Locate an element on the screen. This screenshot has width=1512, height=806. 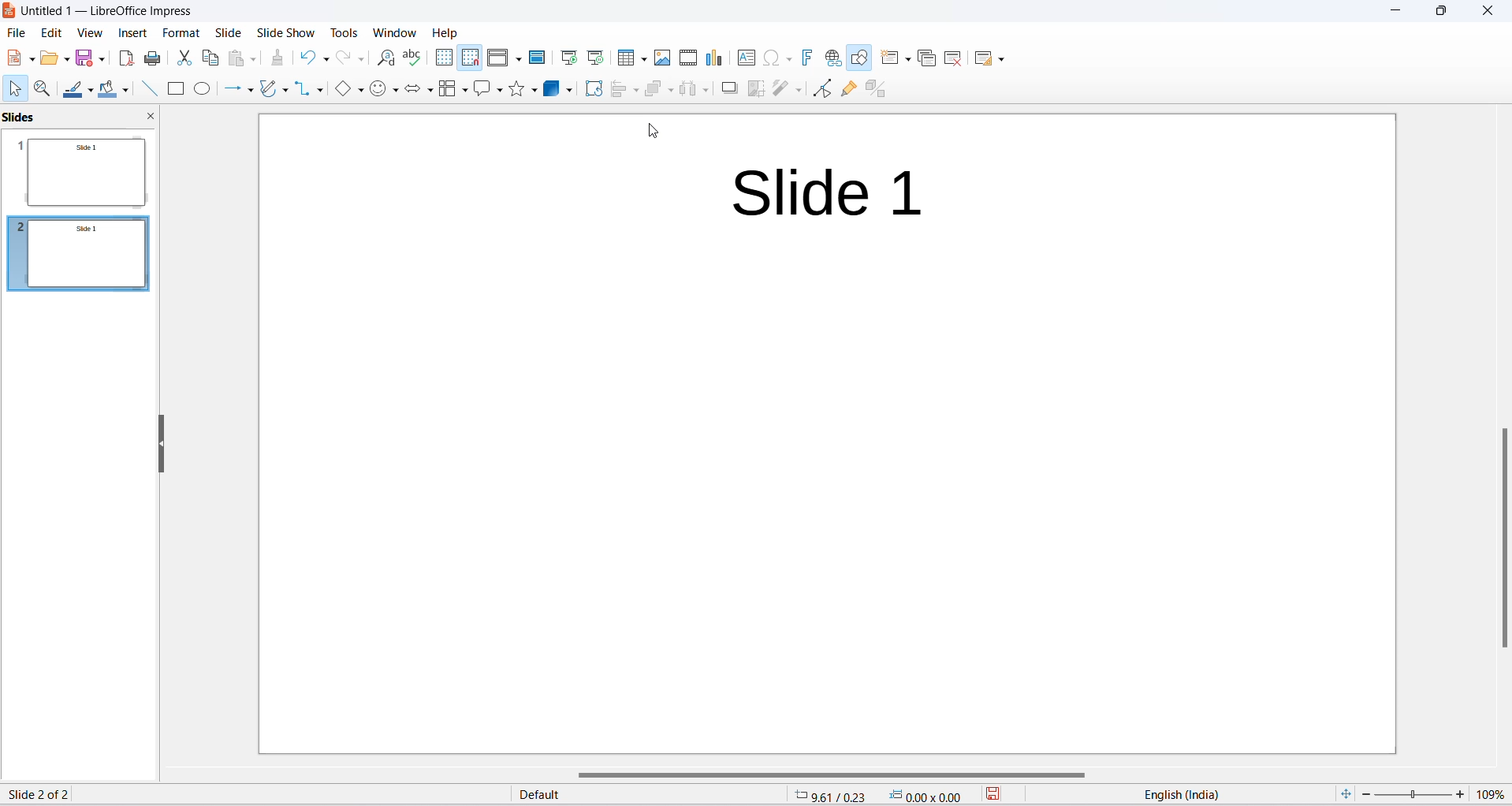
Object distribution is located at coordinates (697, 89).